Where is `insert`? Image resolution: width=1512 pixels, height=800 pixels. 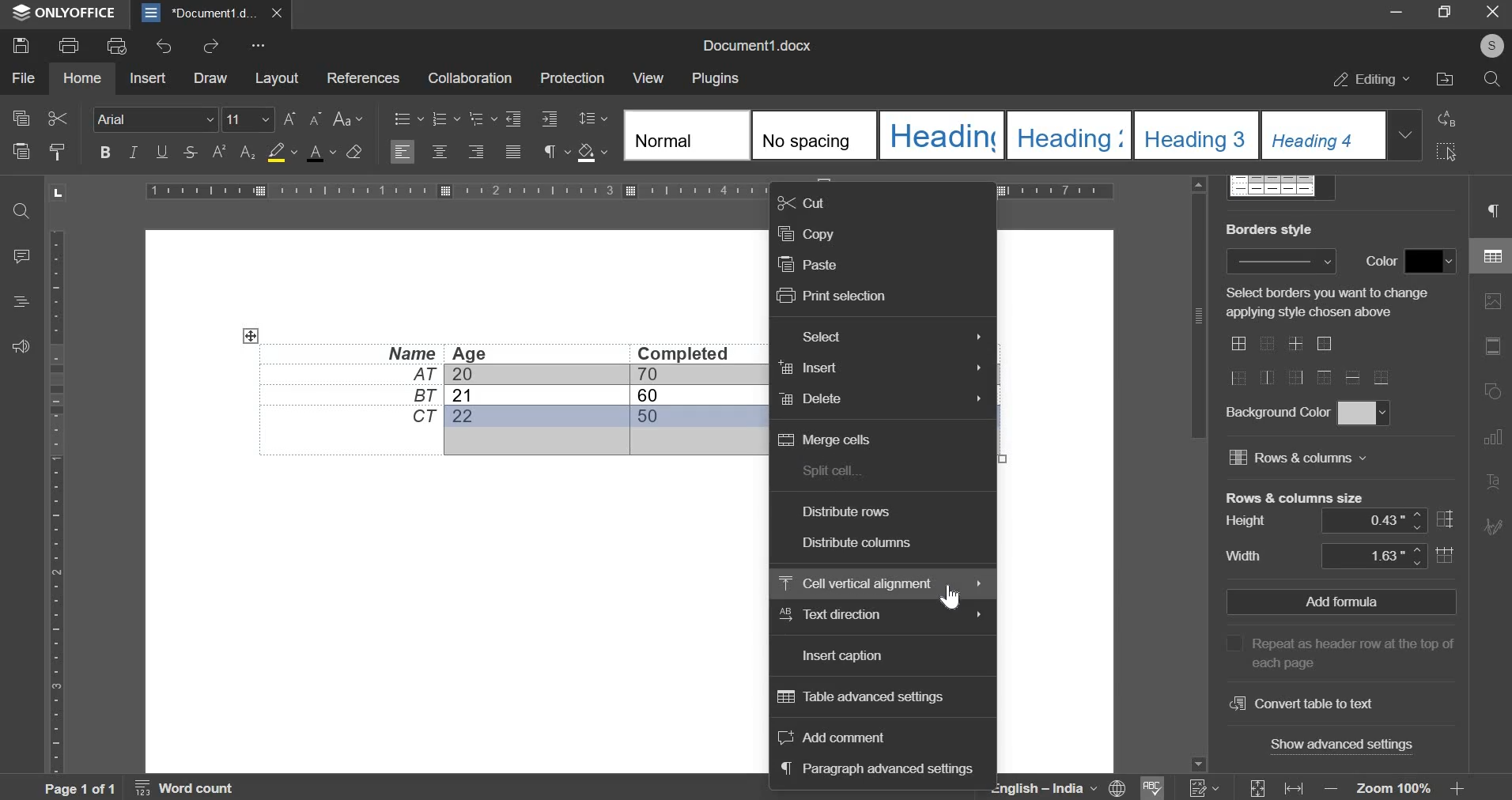
insert is located at coordinates (808, 368).